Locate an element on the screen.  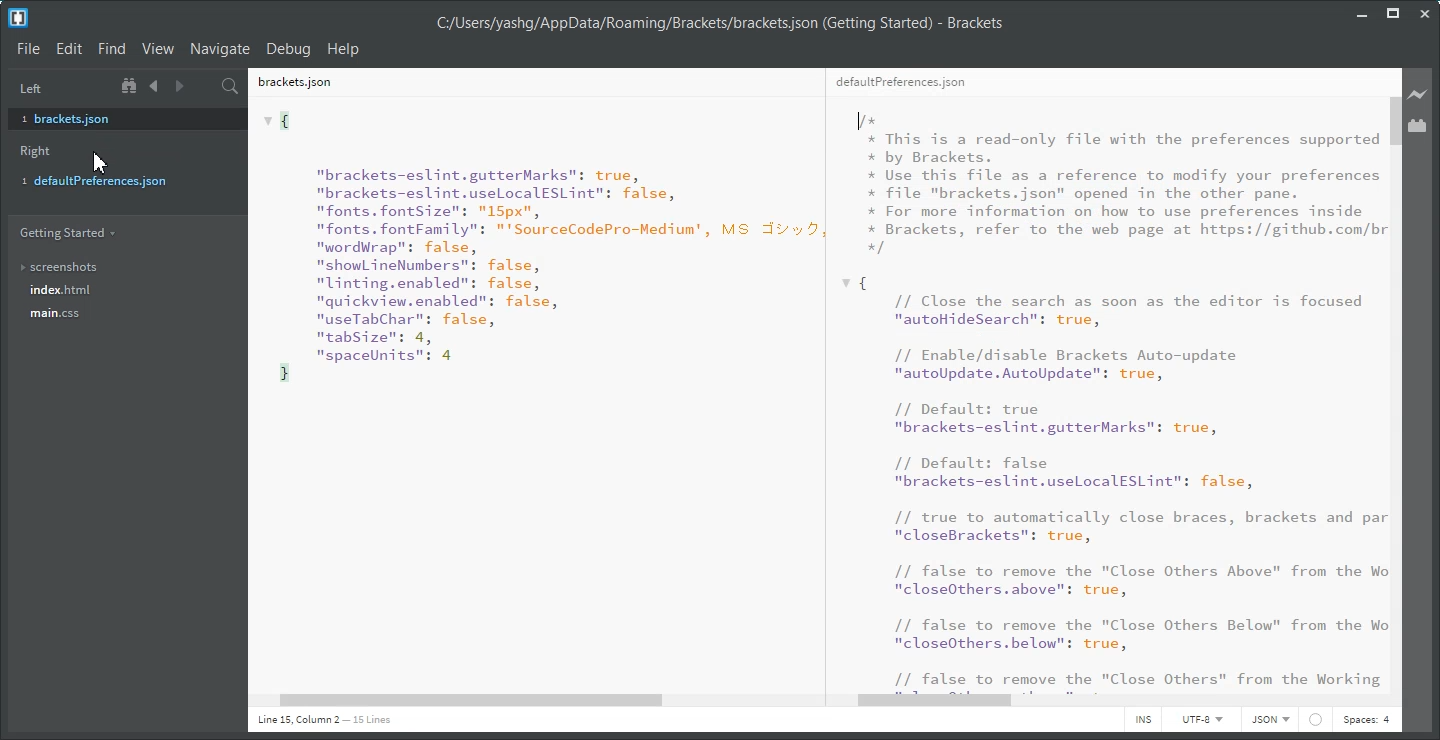
Help is located at coordinates (344, 48).